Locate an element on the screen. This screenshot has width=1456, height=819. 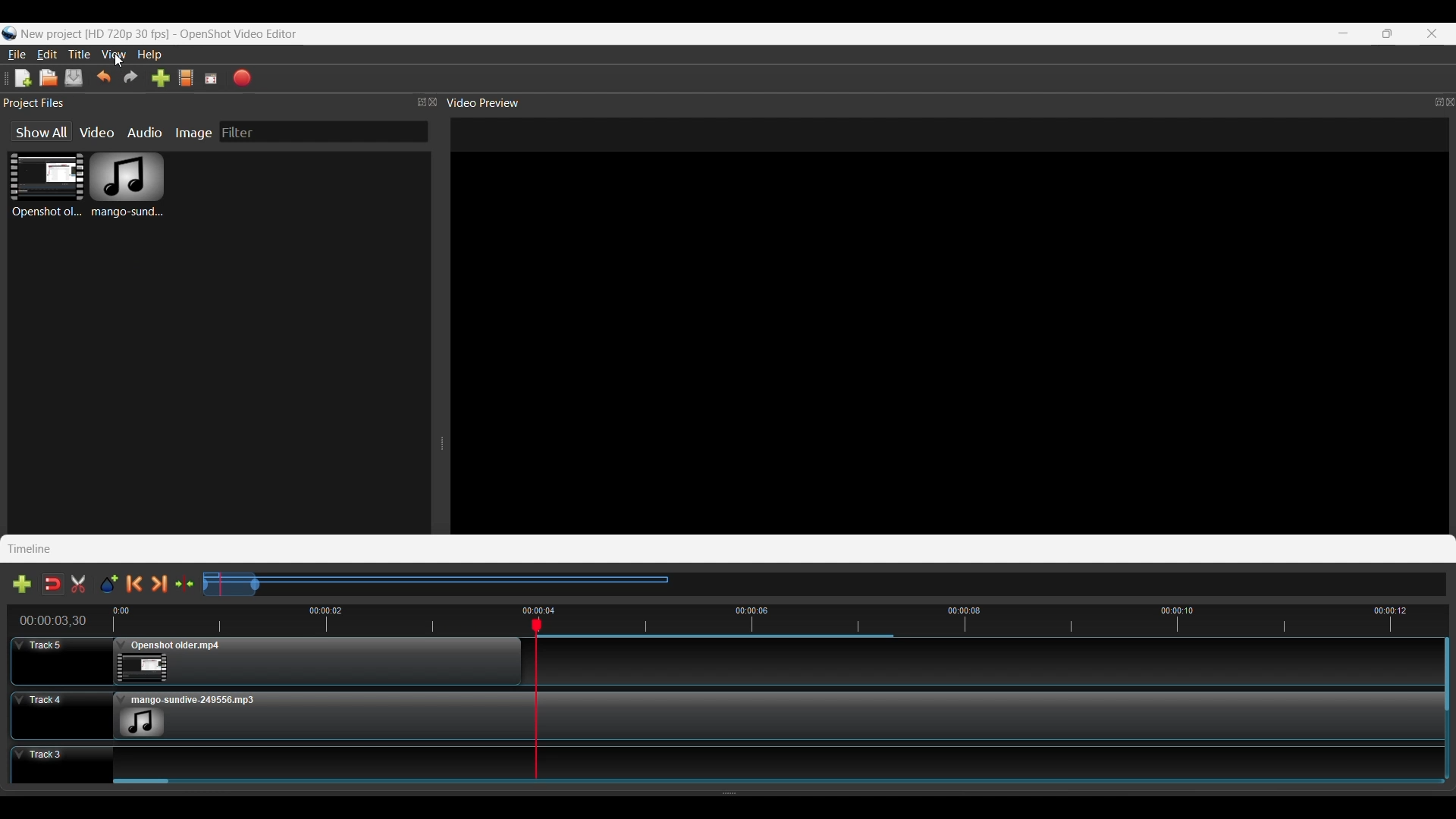
Export Video is located at coordinates (243, 78).